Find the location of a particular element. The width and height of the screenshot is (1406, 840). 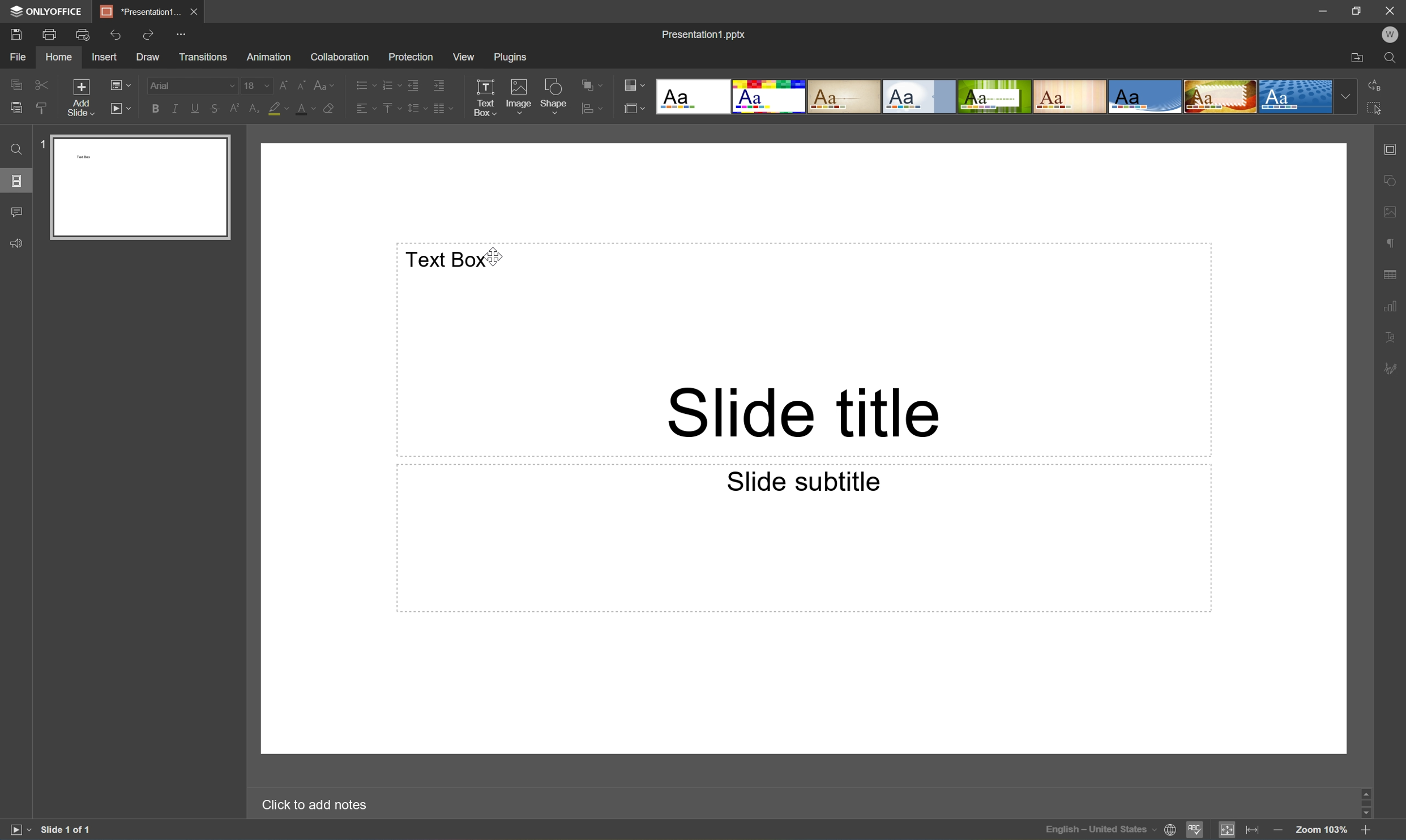

Numbering is located at coordinates (387, 84).